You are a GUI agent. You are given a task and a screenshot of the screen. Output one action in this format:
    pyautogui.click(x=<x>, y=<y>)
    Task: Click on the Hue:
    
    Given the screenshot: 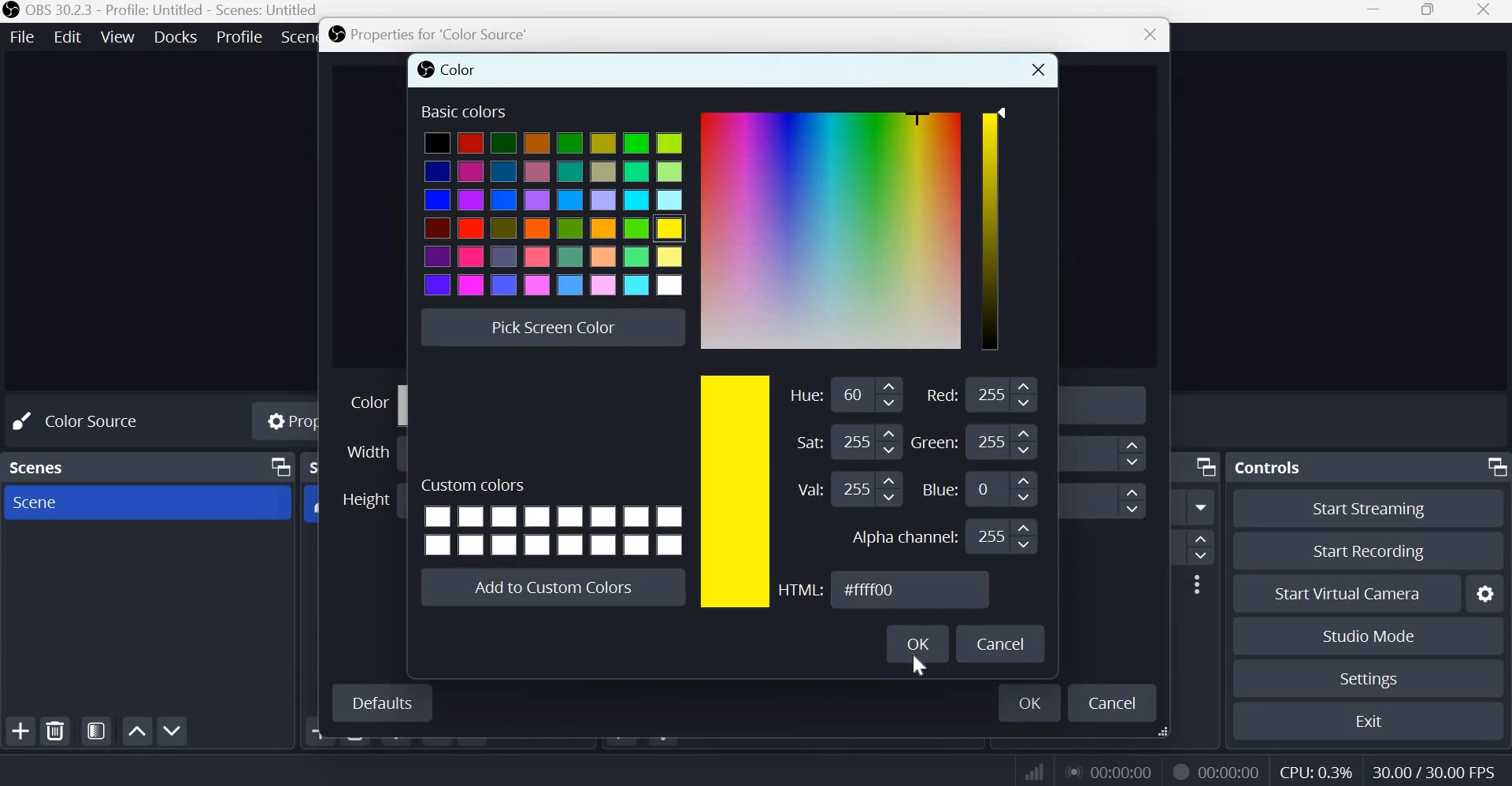 What is the action you would take?
    pyautogui.click(x=808, y=395)
    